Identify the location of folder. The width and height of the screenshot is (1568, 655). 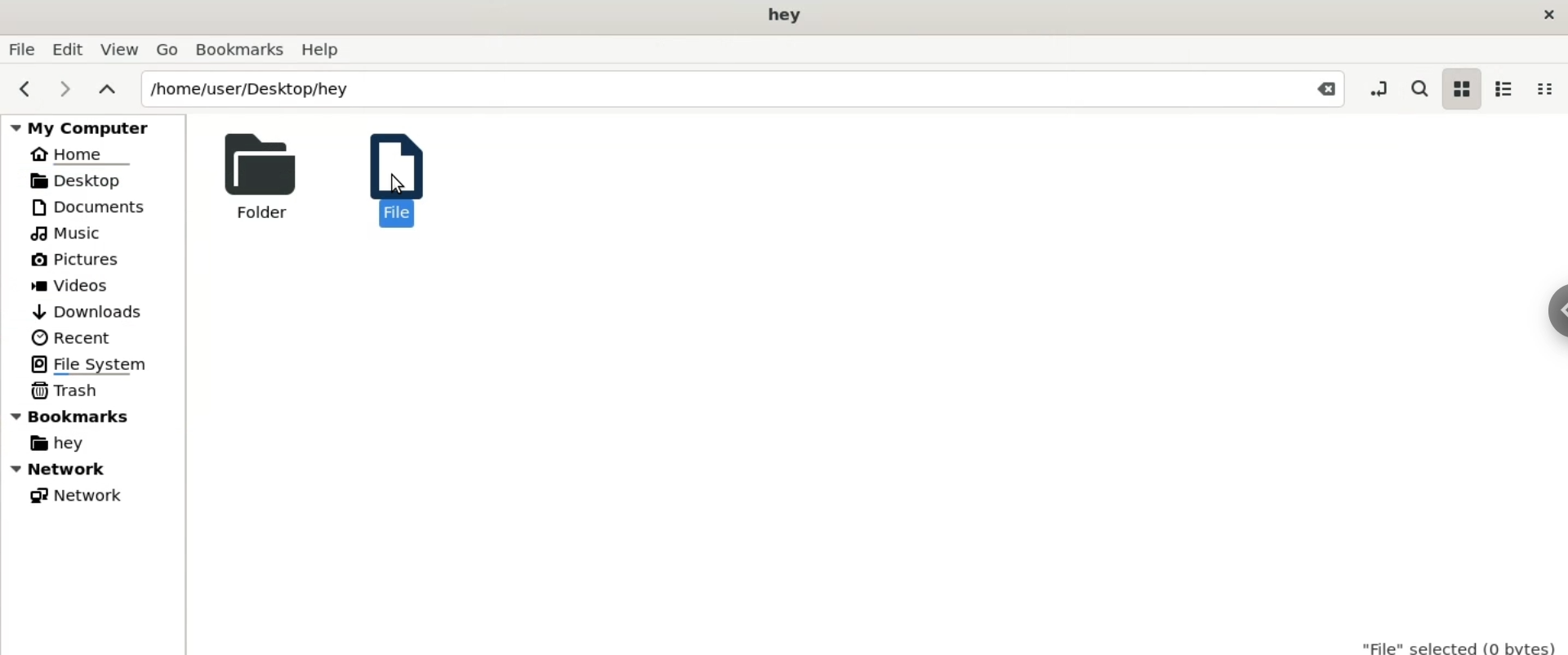
(252, 176).